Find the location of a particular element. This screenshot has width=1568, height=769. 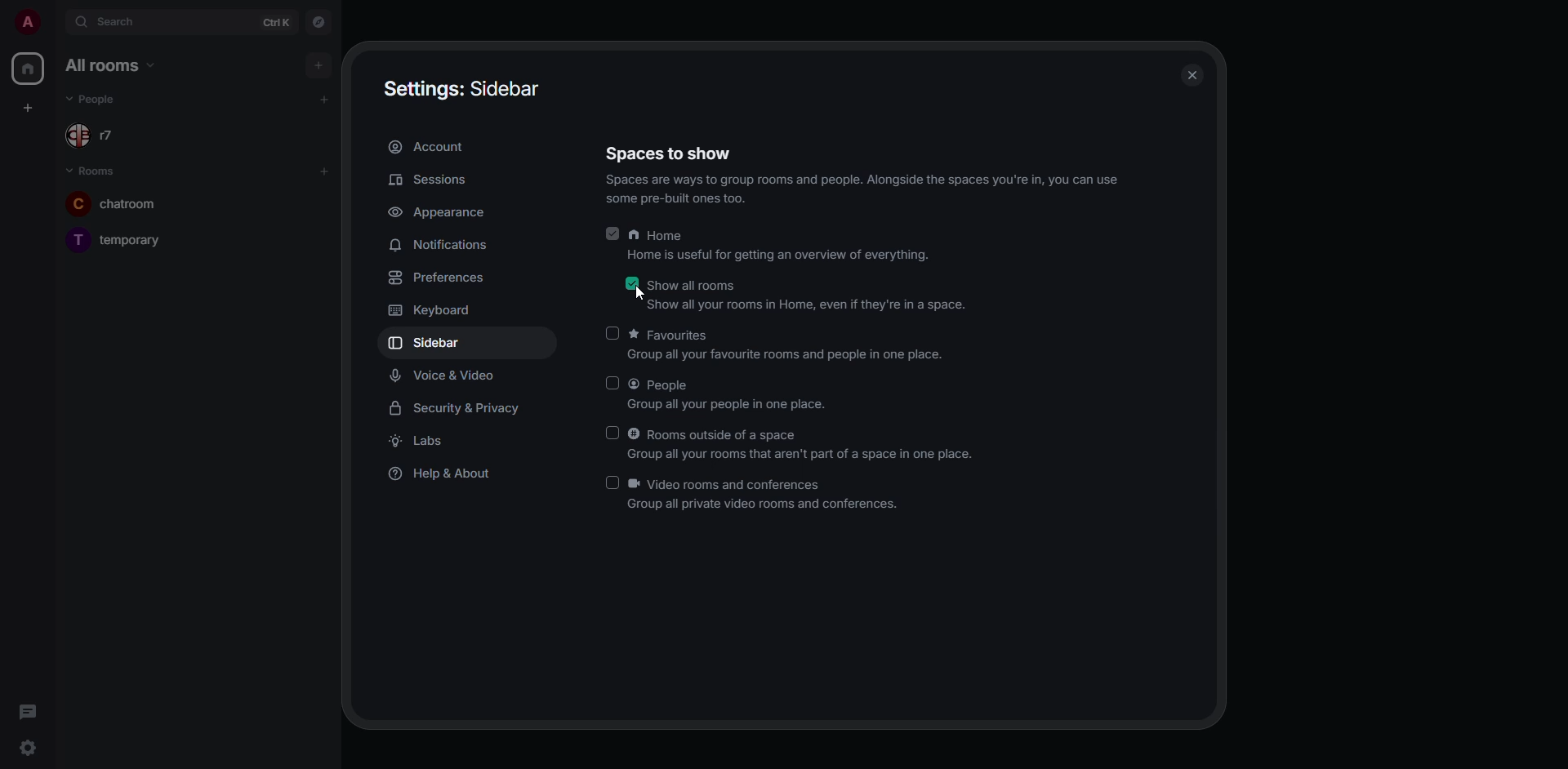

enabled is located at coordinates (611, 482).